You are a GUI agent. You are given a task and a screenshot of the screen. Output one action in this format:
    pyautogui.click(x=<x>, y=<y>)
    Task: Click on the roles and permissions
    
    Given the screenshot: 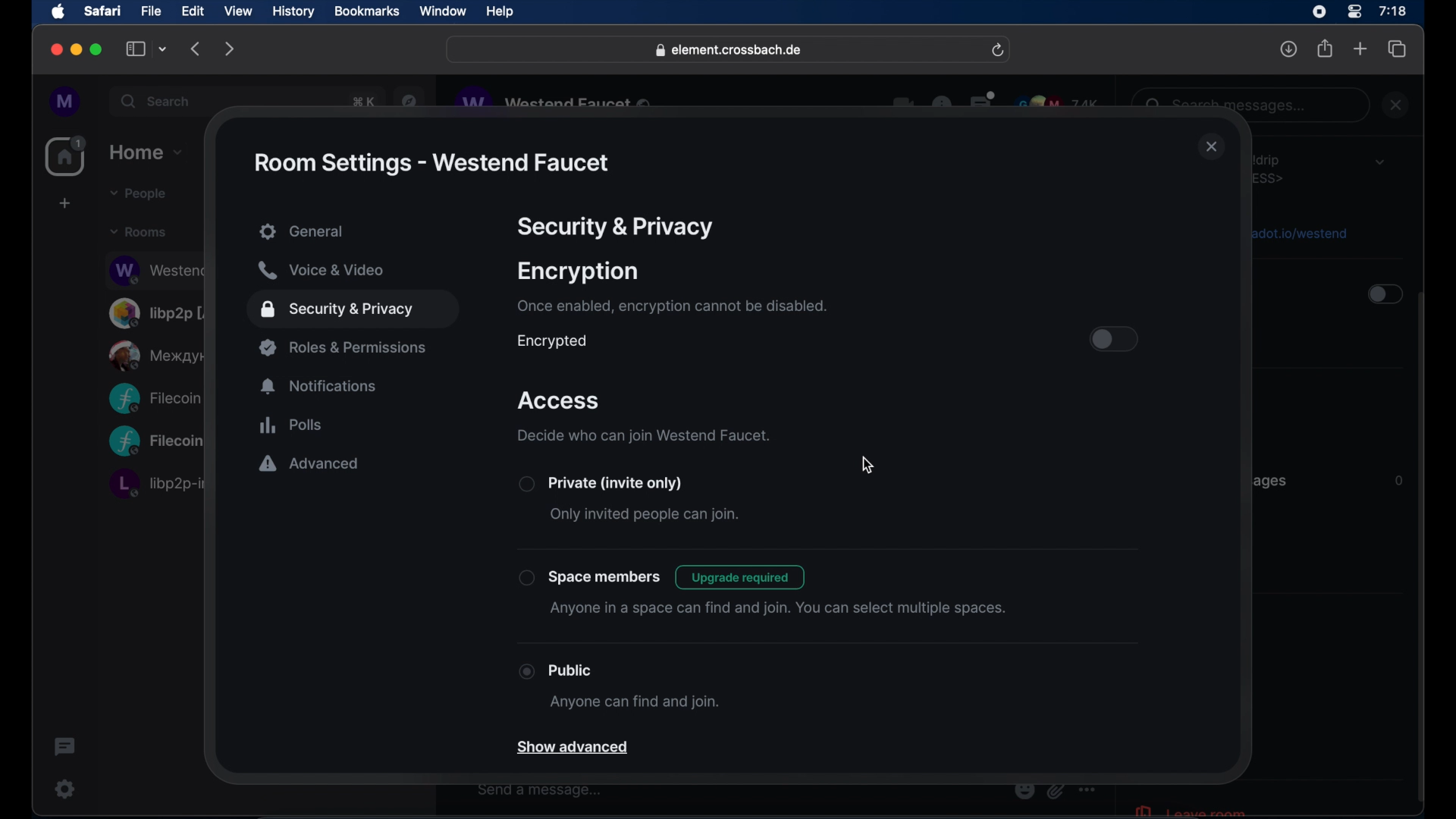 What is the action you would take?
    pyautogui.click(x=345, y=347)
    